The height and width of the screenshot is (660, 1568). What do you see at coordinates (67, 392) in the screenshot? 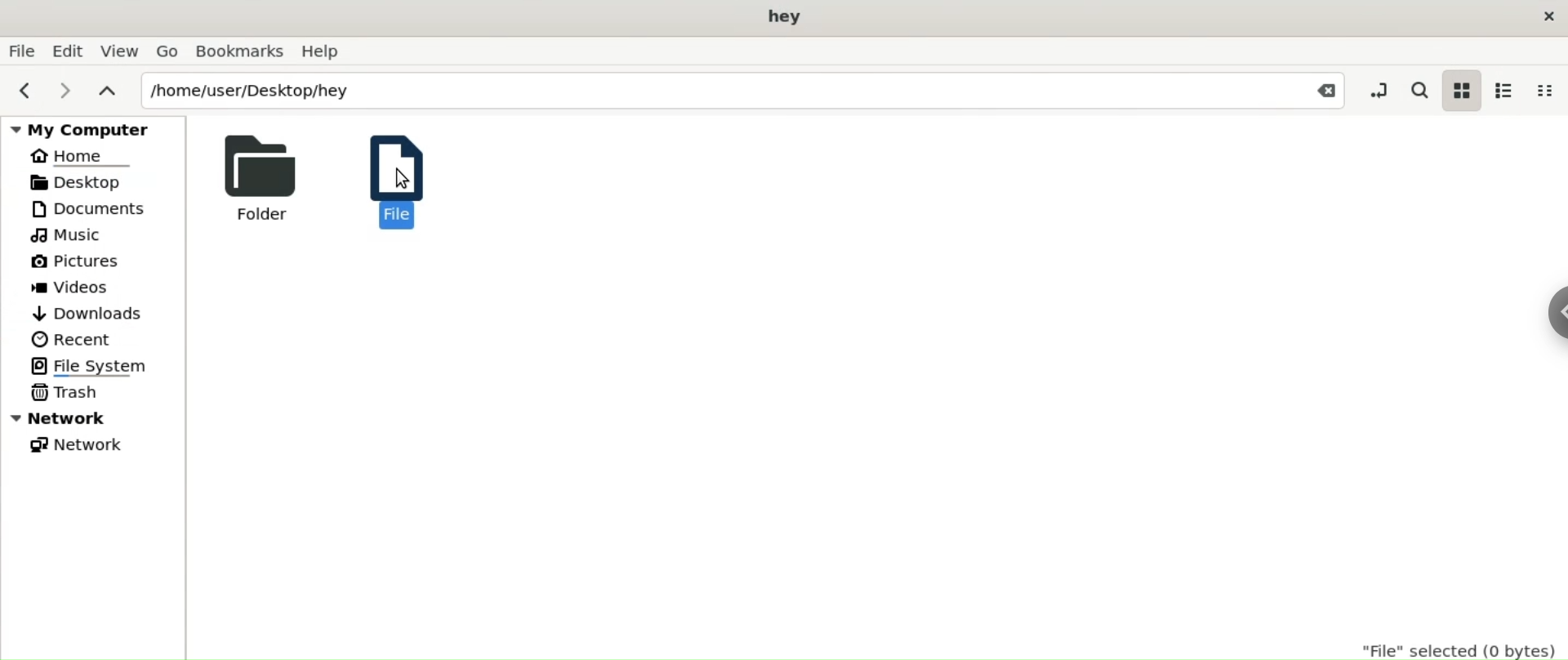
I see `Trash` at bounding box center [67, 392].